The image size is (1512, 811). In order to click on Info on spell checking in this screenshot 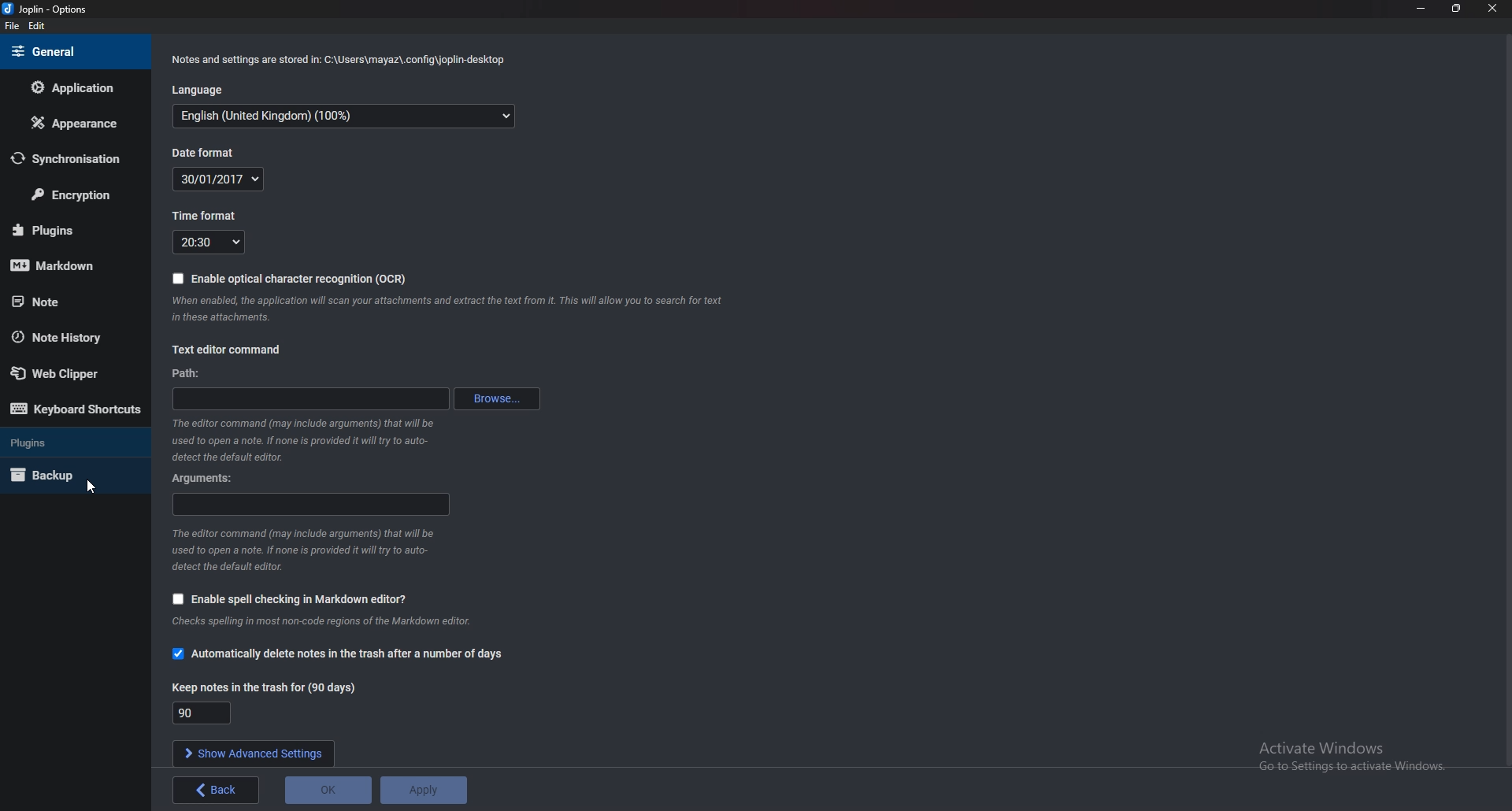, I will do `click(321, 621)`.